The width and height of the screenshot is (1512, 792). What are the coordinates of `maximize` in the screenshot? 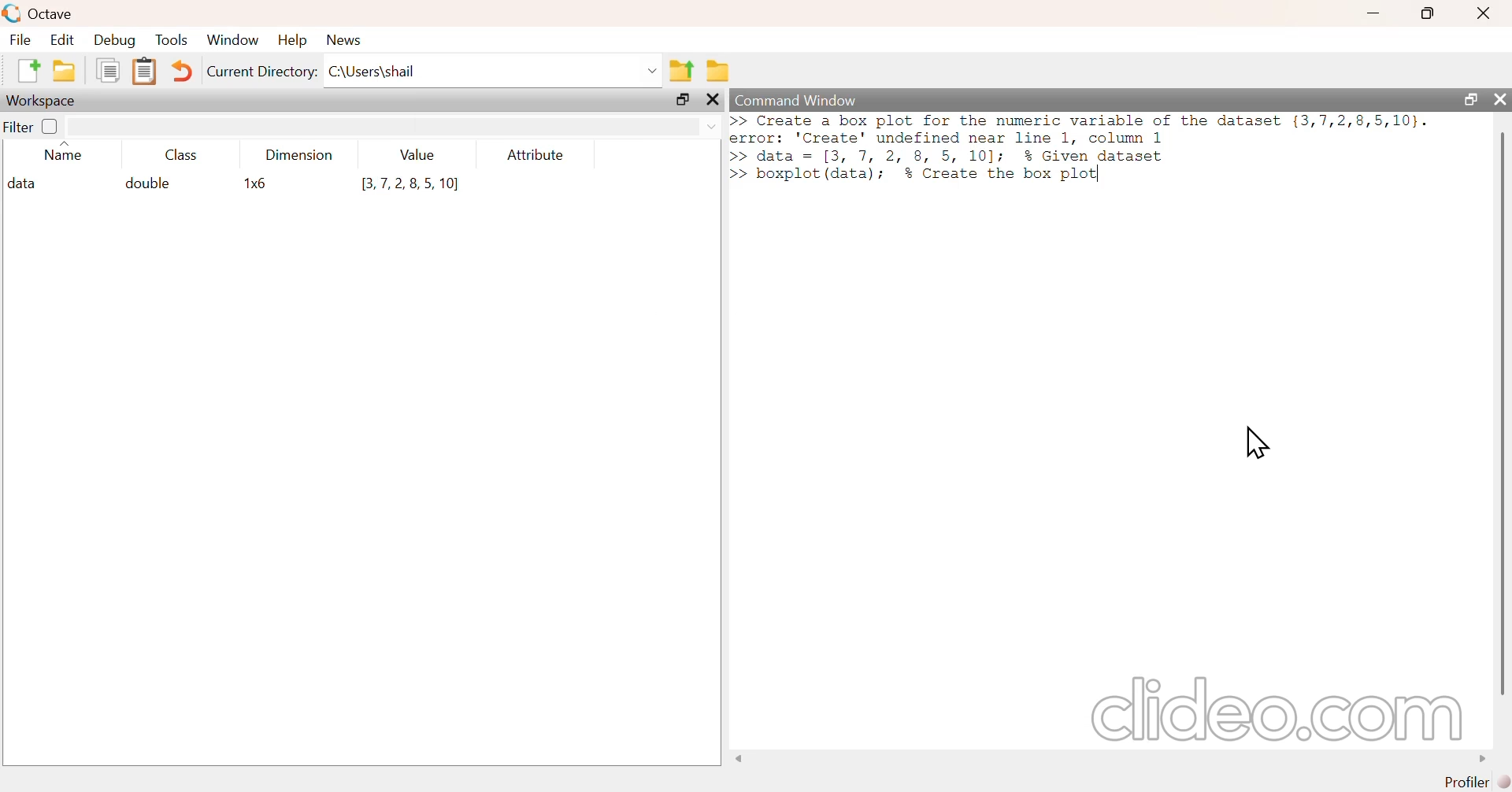 It's located at (1429, 13).